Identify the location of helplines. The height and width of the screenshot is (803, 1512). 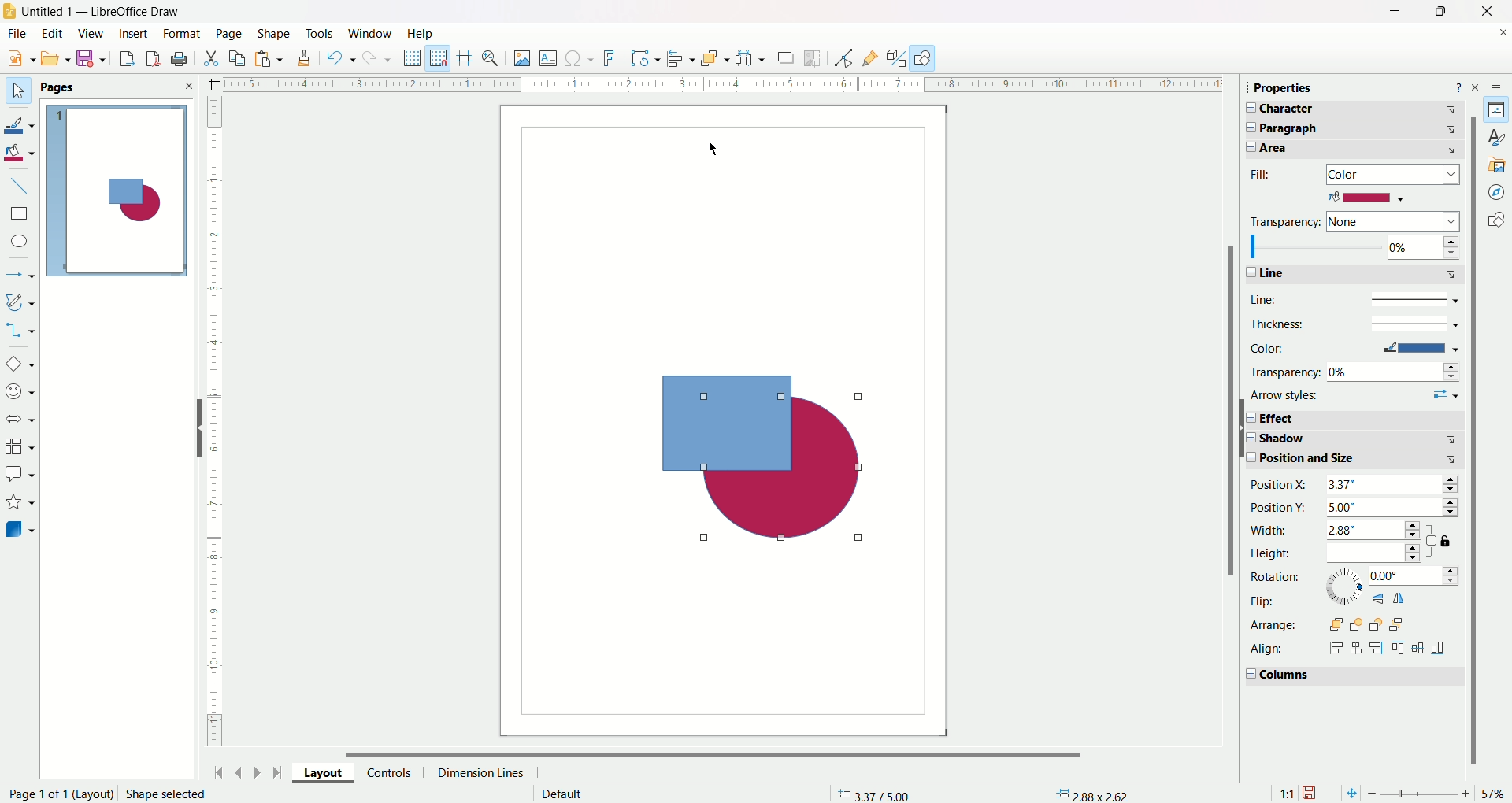
(465, 57).